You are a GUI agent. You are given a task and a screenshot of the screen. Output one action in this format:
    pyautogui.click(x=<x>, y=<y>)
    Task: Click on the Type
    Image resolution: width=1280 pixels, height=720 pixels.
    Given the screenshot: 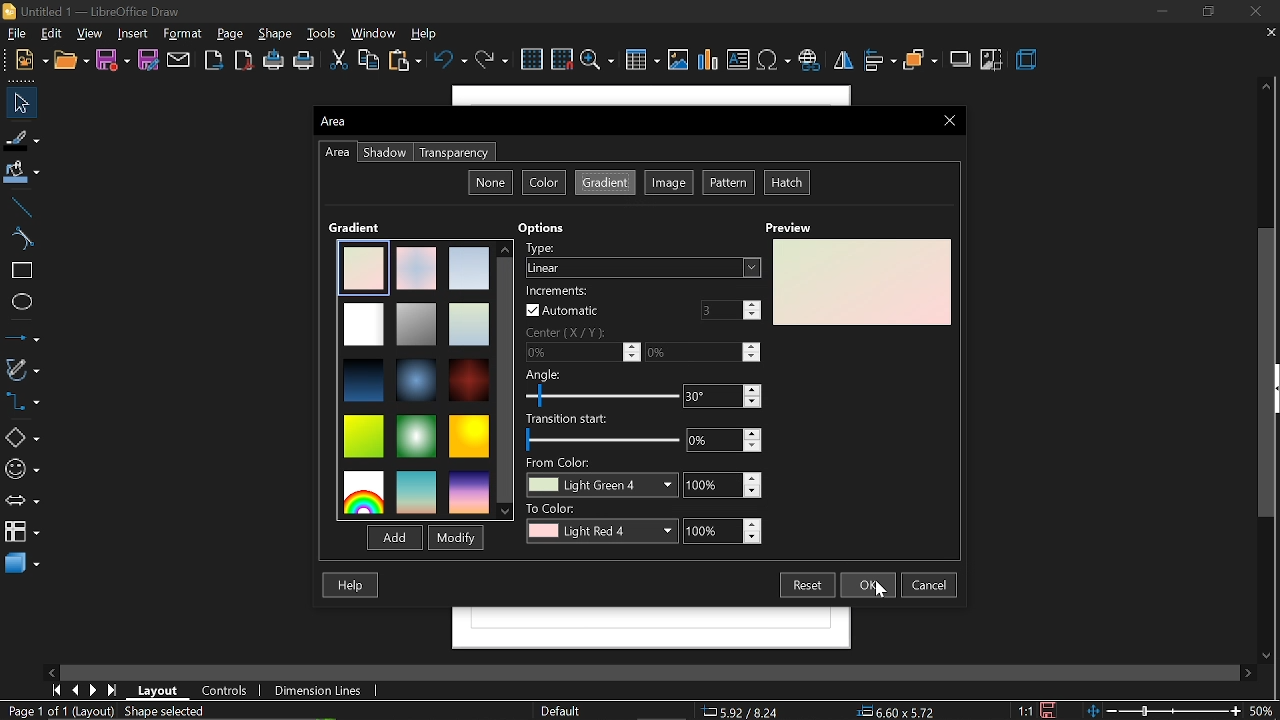 What is the action you would take?
    pyautogui.click(x=641, y=258)
    